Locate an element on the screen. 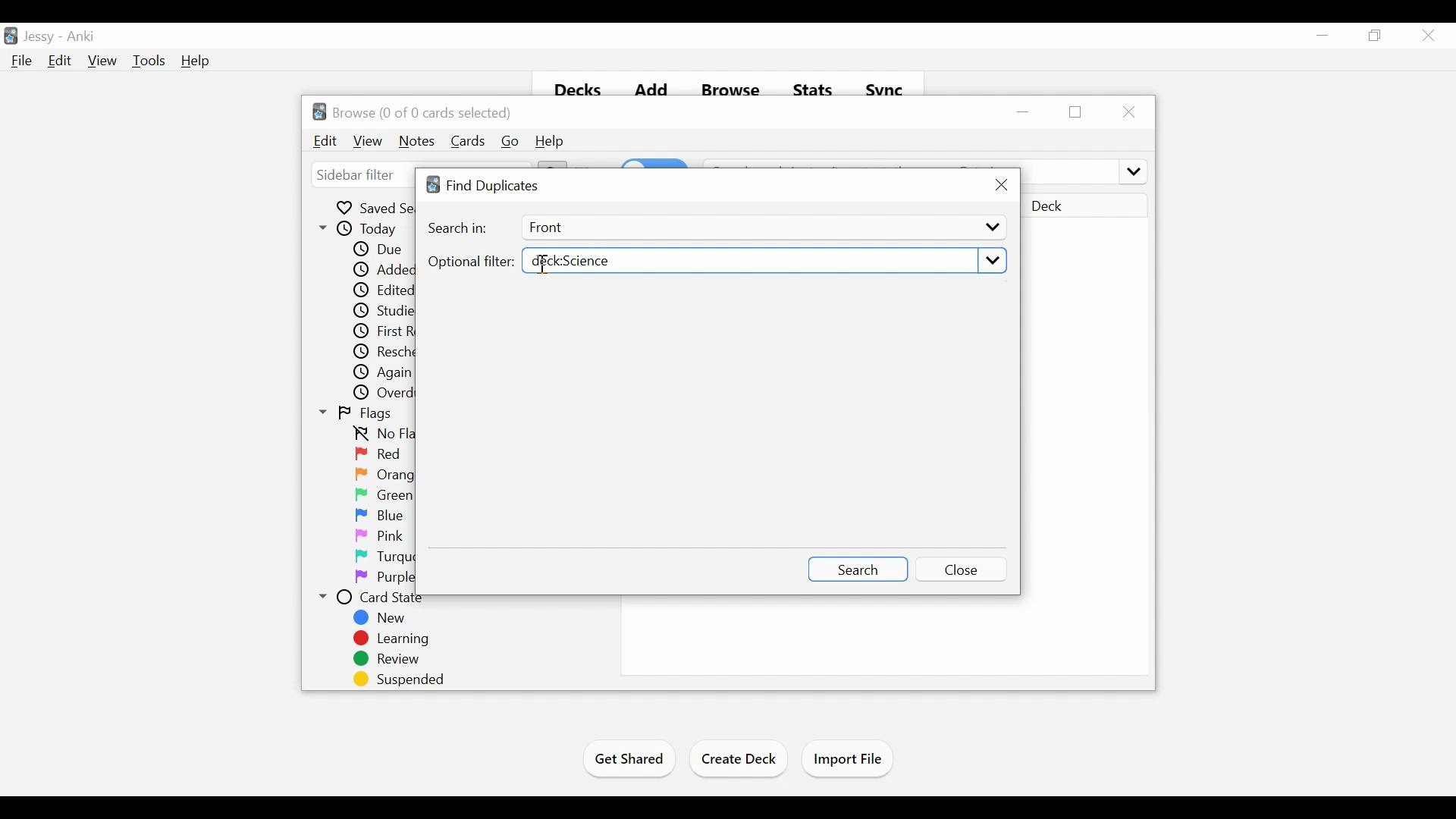 This screenshot has width=1456, height=819. Turquoise is located at coordinates (403, 557).